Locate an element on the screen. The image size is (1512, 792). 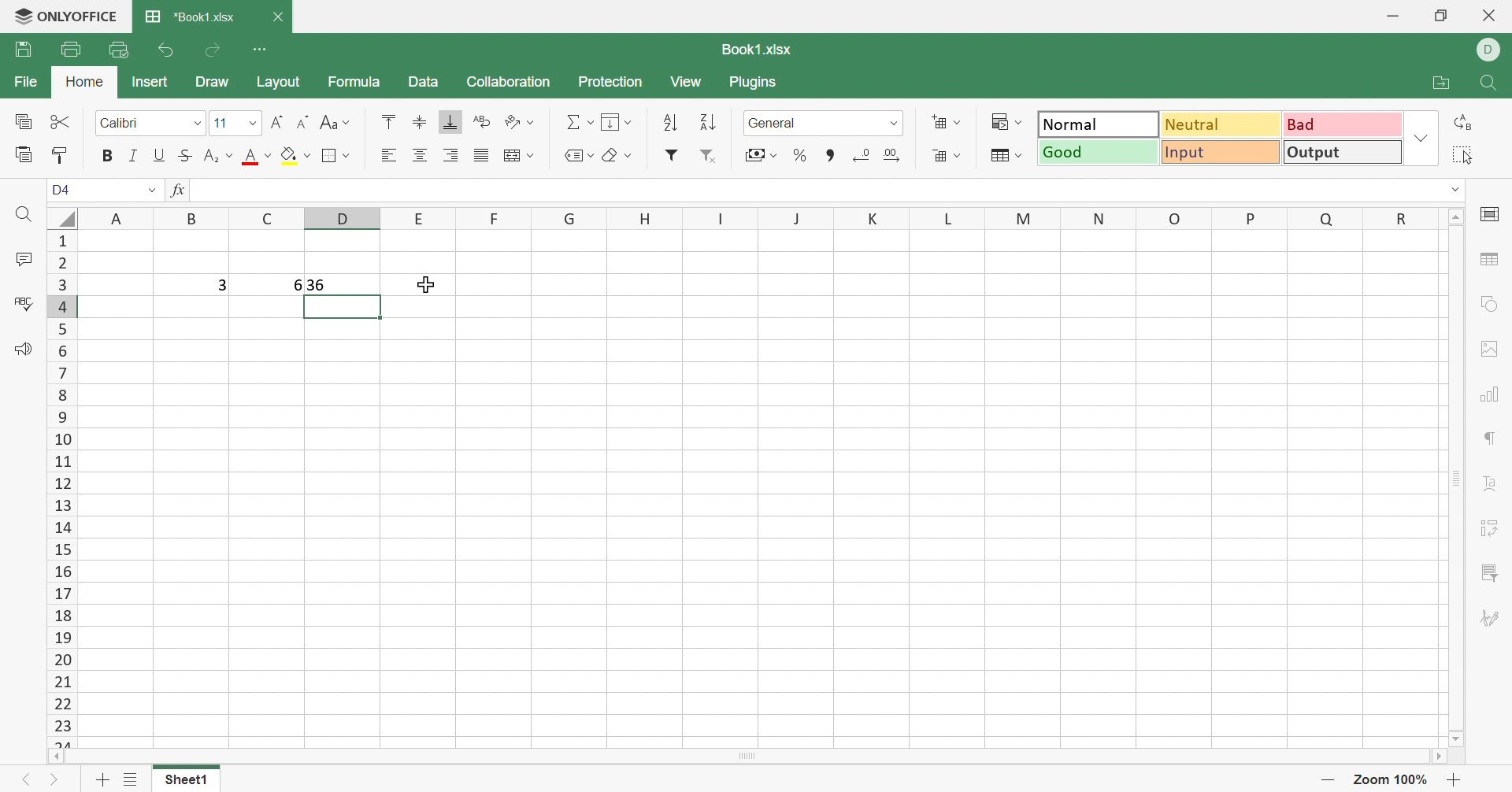
Redo is located at coordinates (213, 50).